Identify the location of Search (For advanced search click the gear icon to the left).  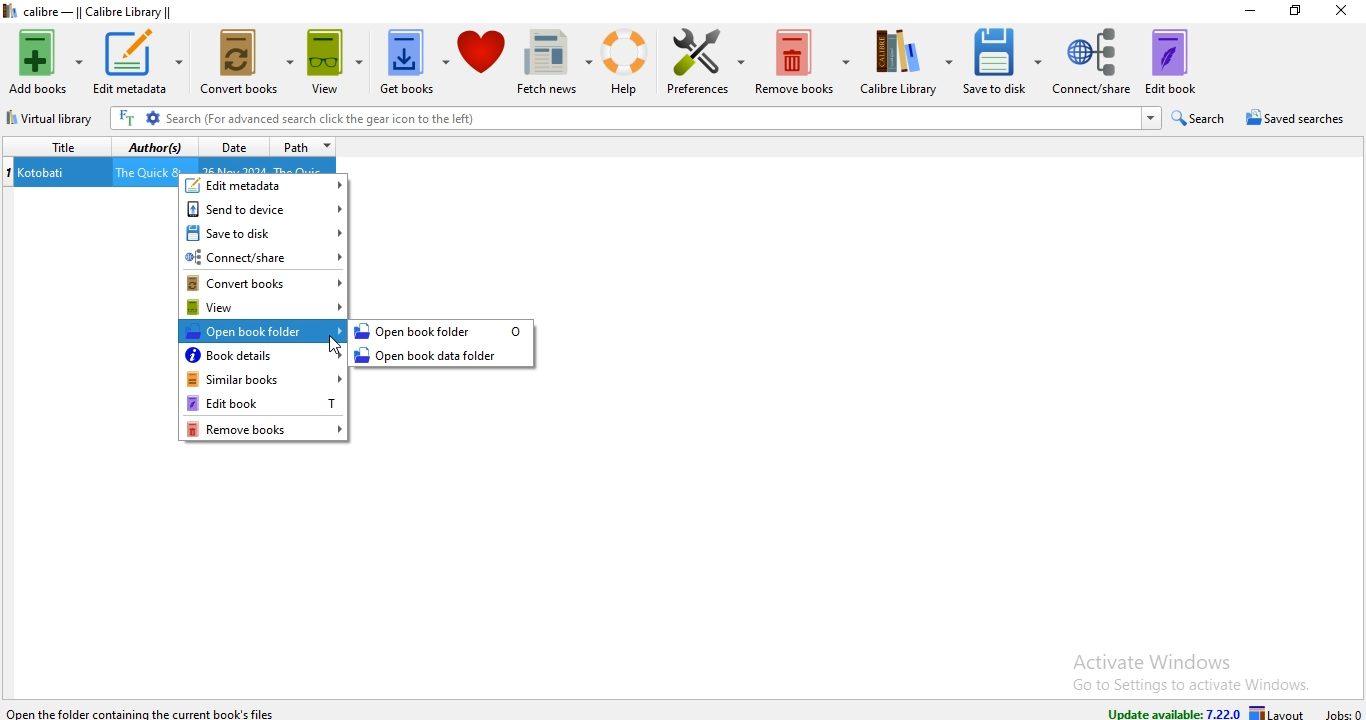
(635, 118).